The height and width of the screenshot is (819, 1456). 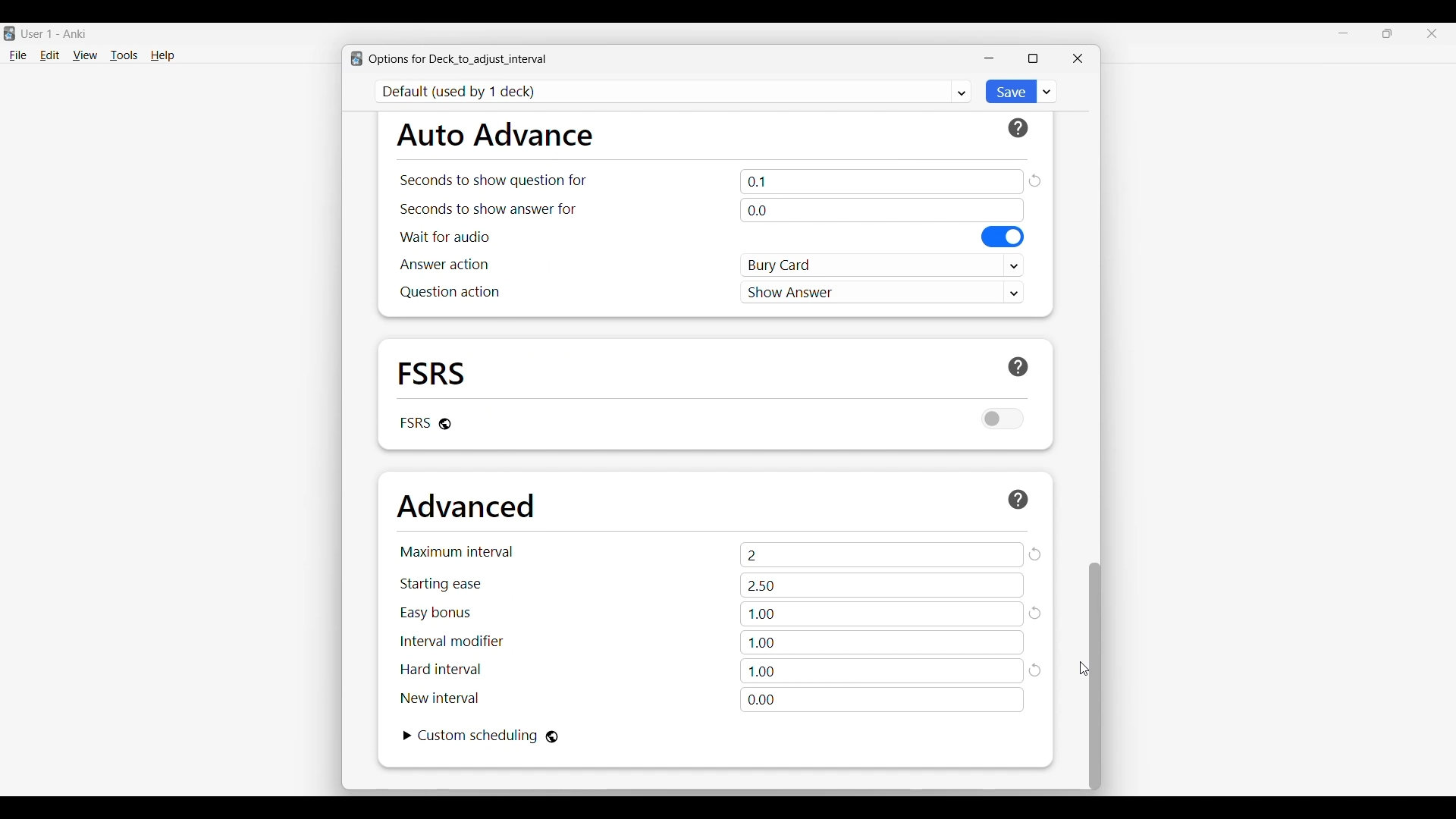 I want to click on Indicates sec. to show question for, so click(x=492, y=180).